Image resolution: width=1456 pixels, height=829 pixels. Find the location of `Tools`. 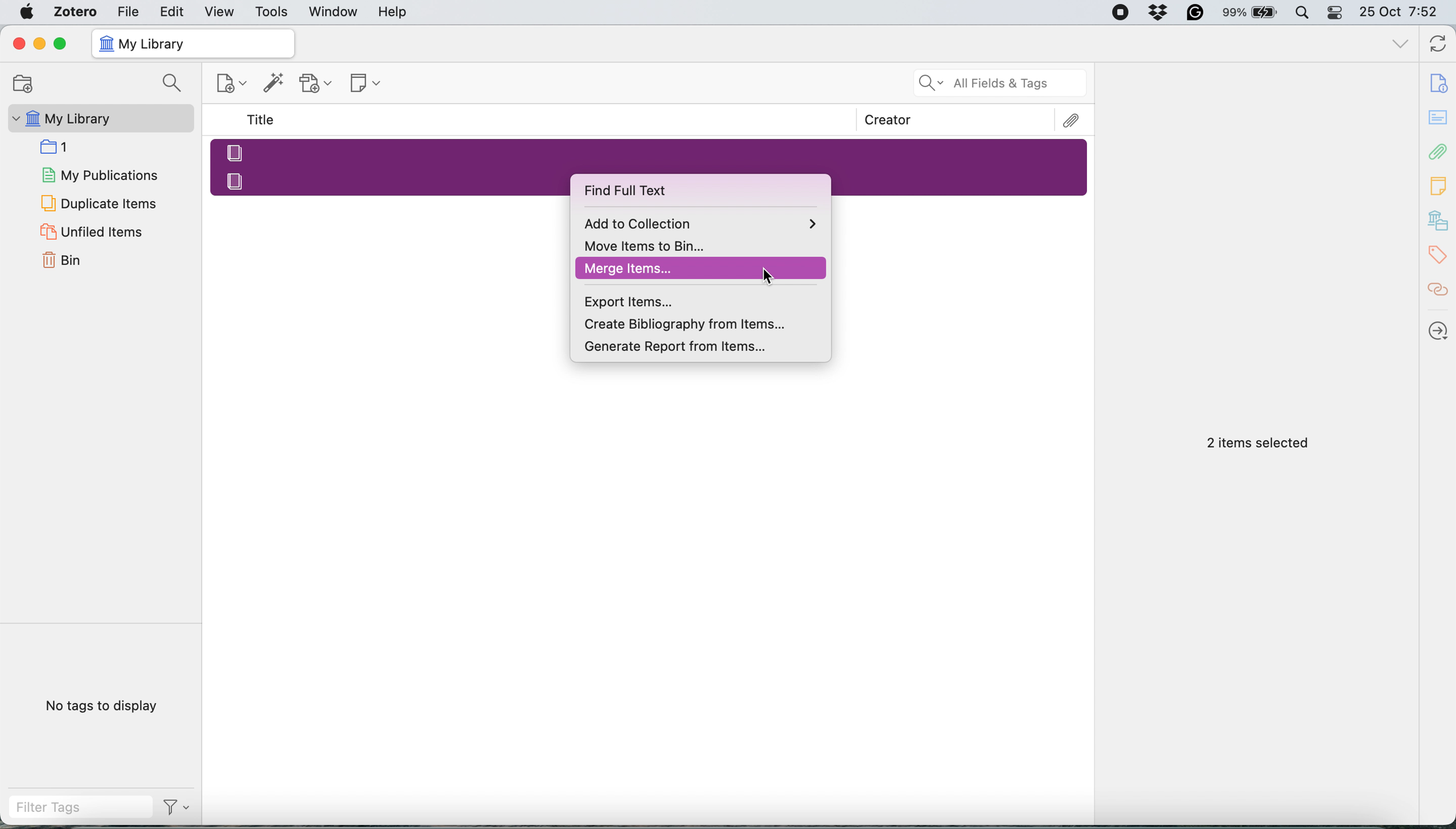

Tools is located at coordinates (272, 13).